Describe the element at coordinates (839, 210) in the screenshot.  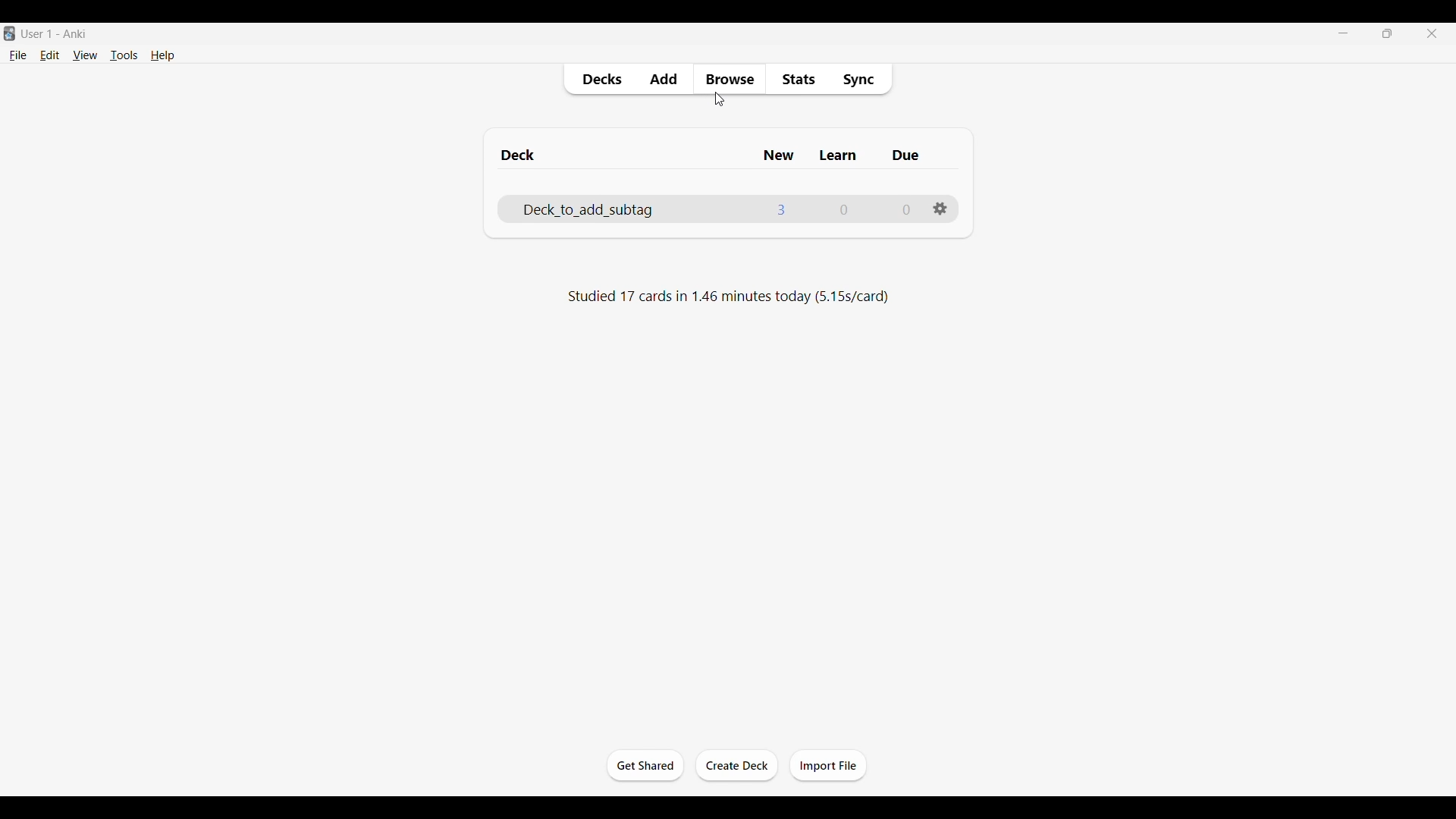
I see `Number of cards to learn` at that location.